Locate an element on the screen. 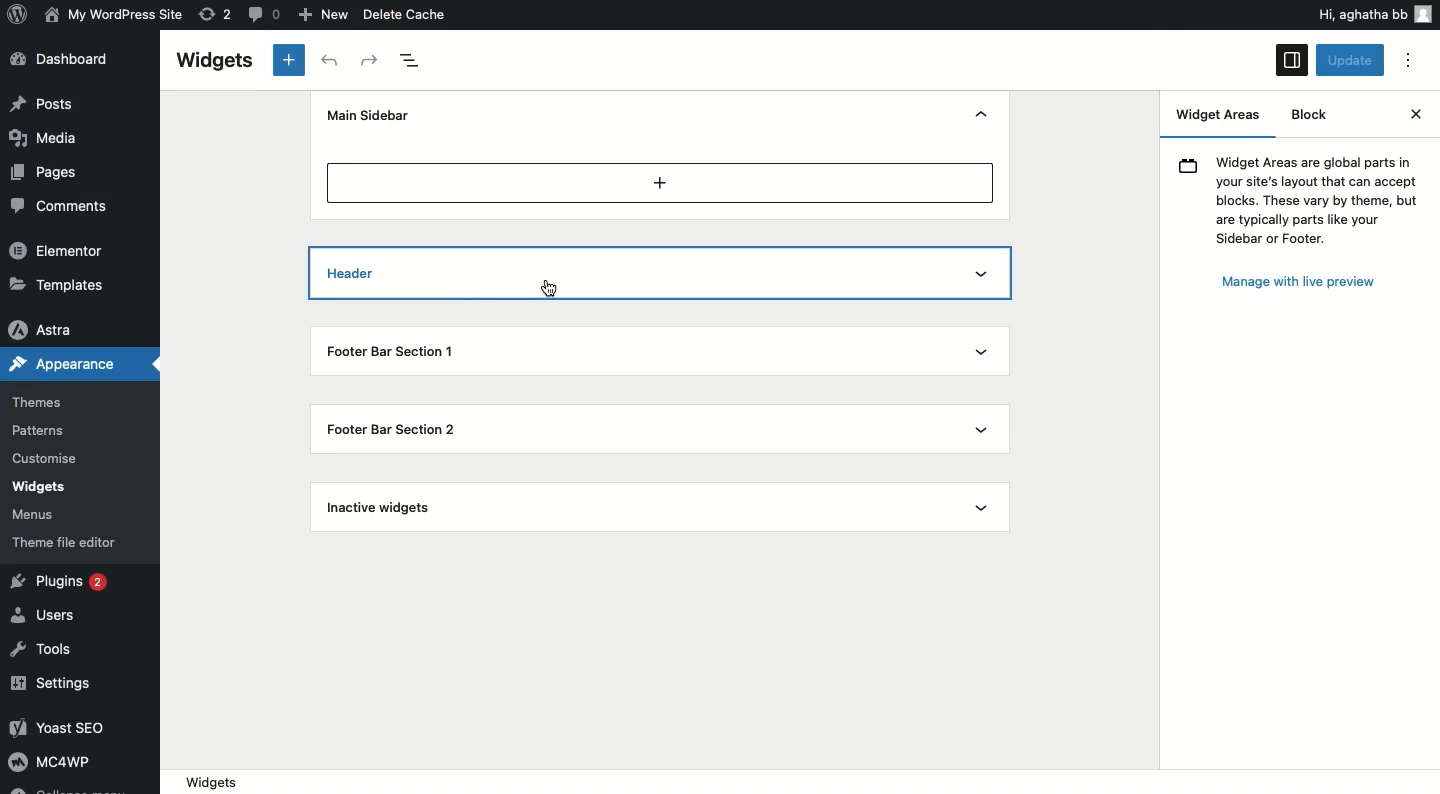  Widget text is located at coordinates (1299, 197).